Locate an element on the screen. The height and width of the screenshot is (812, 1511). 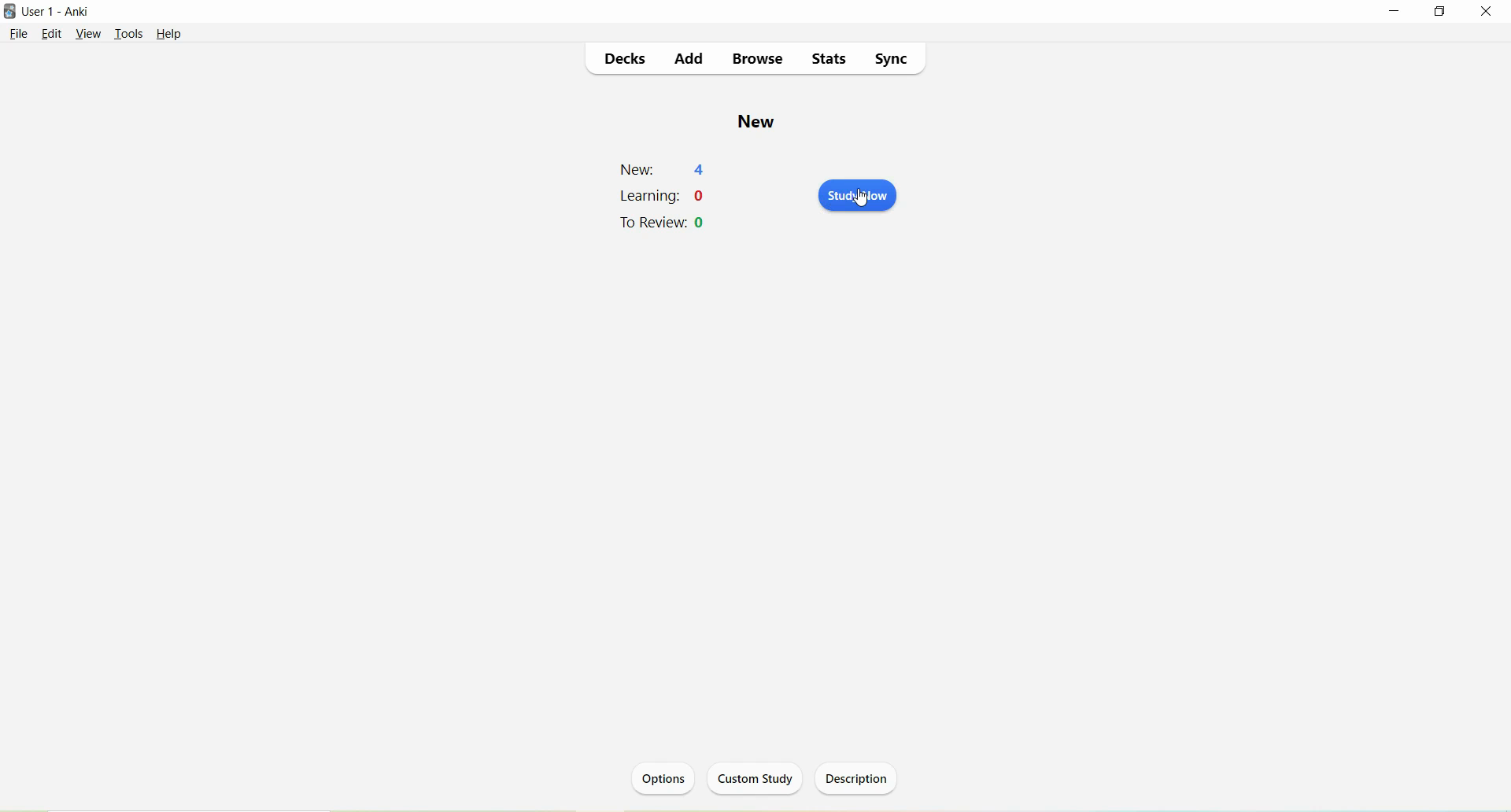
New is located at coordinates (759, 122).